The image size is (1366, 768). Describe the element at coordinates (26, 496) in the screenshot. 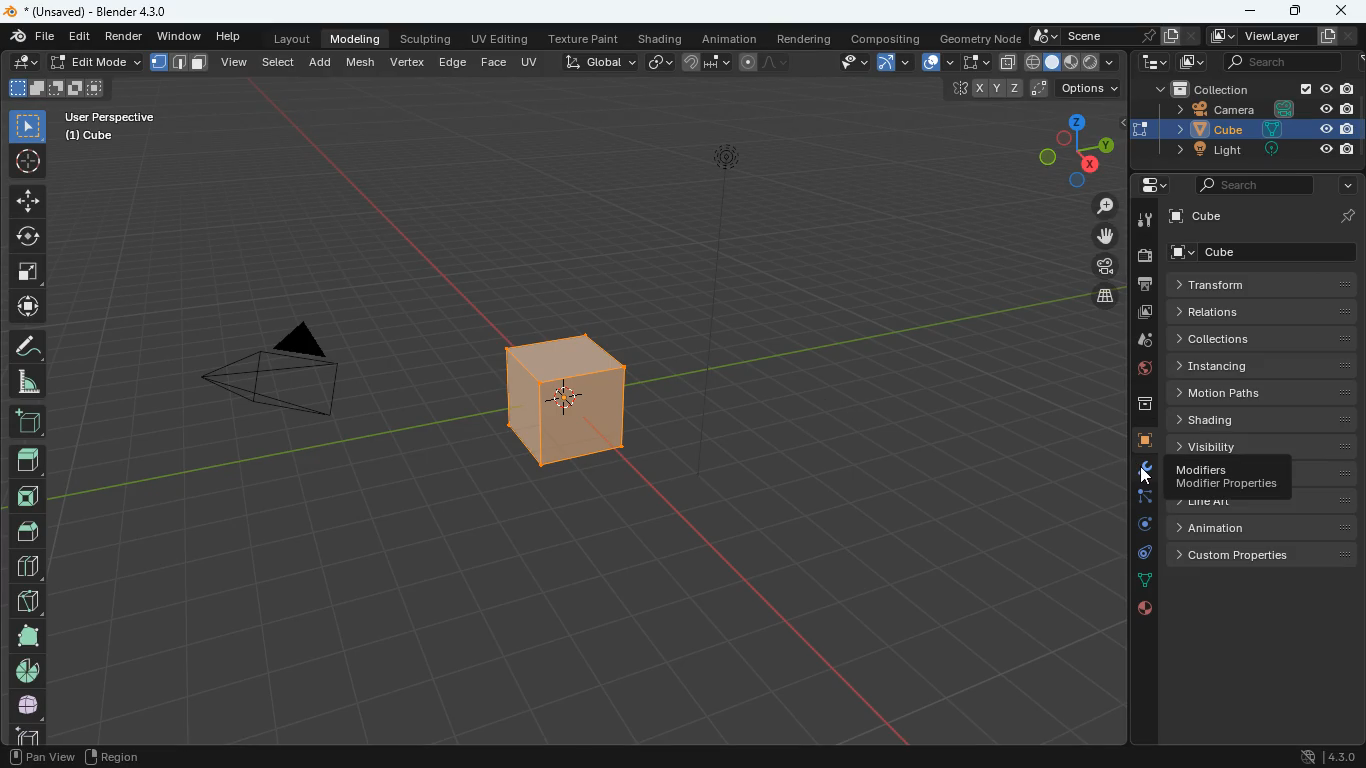

I see `front` at that location.